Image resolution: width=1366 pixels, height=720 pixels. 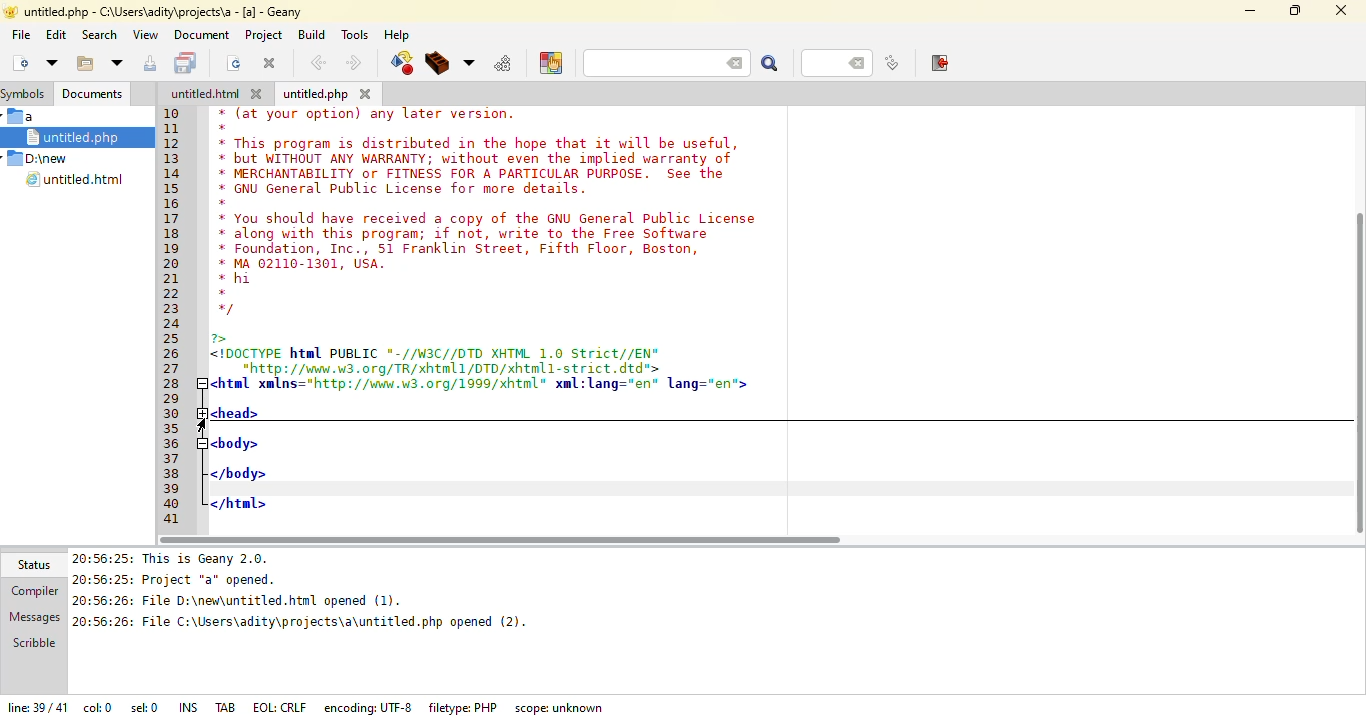 I want to click on build, so click(x=312, y=36).